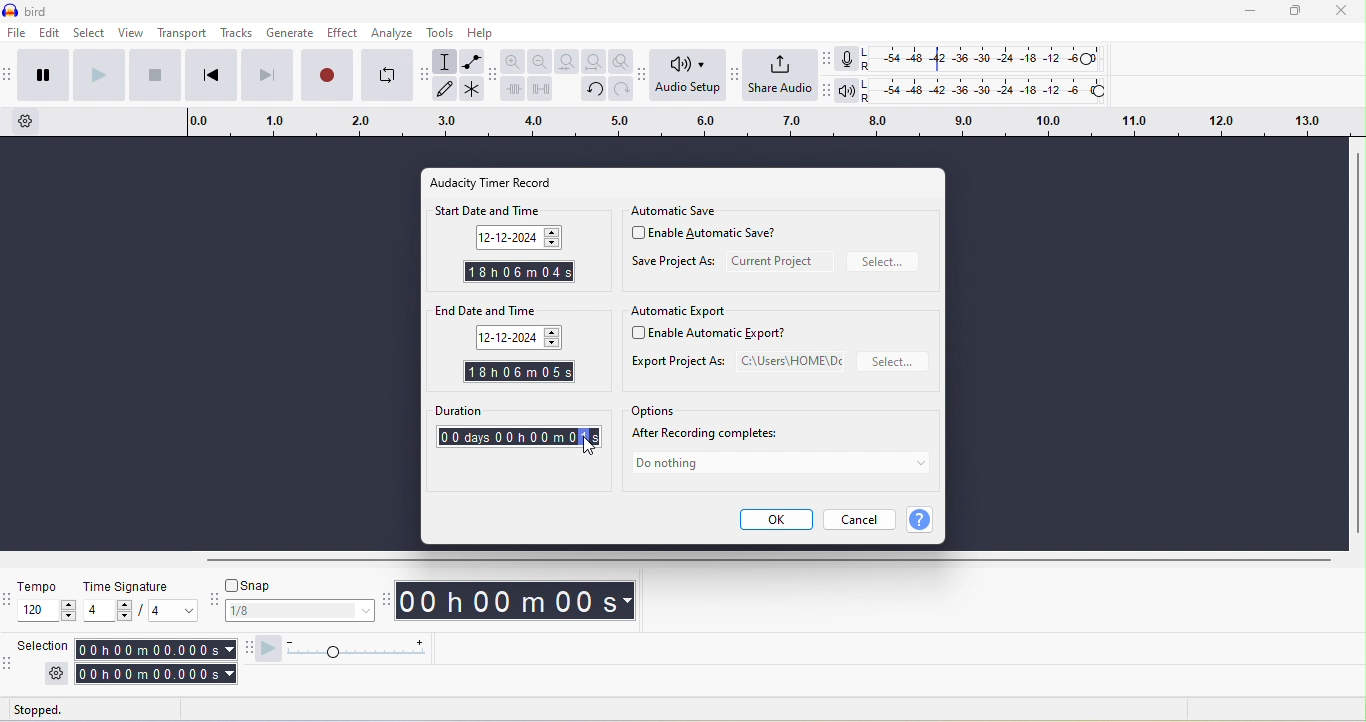 This screenshot has height=722, width=1366. I want to click on help, so click(488, 34).